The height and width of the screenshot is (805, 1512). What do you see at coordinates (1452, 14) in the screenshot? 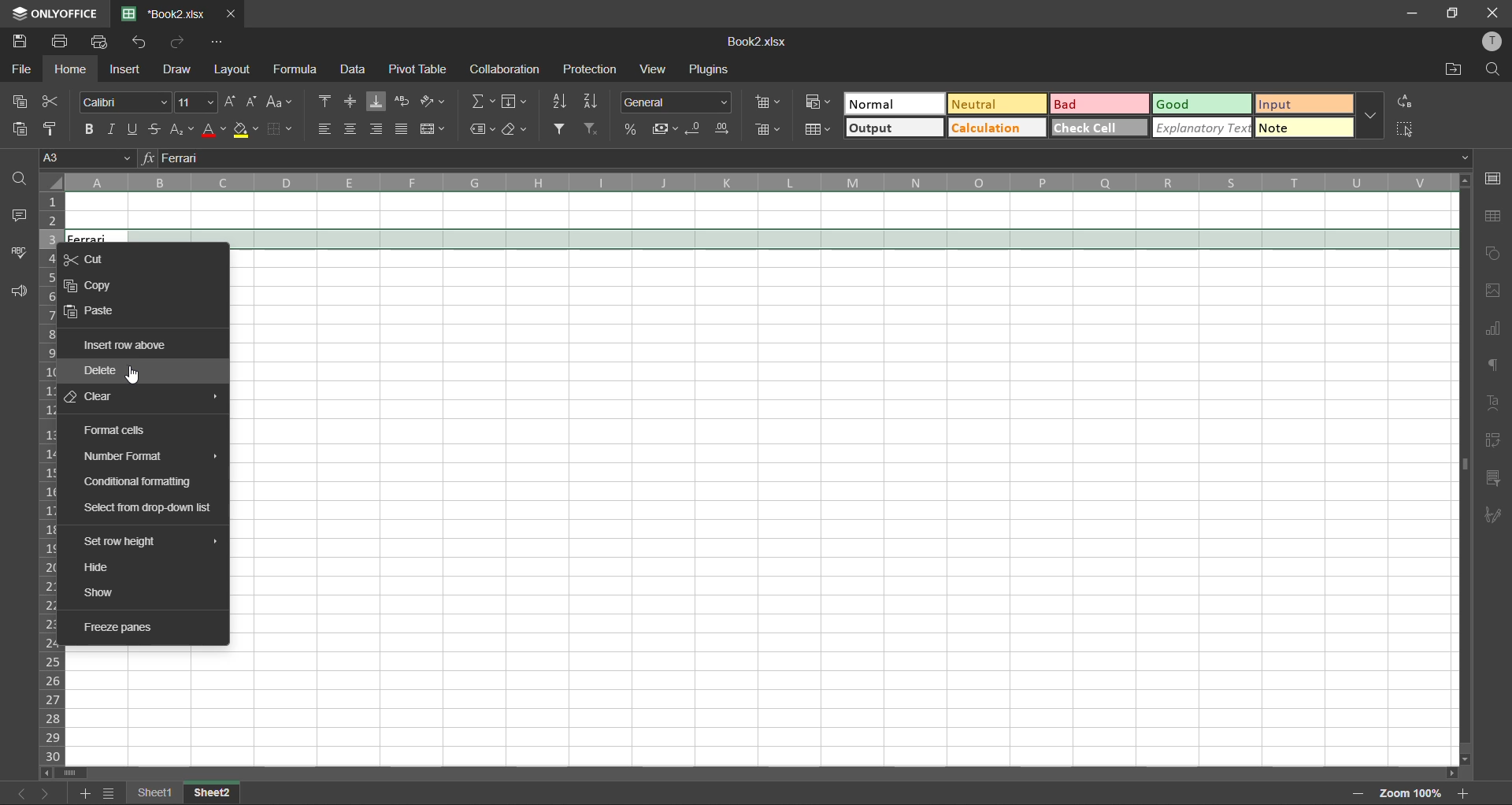
I see `maximize` at bounding box center [1452, 14].